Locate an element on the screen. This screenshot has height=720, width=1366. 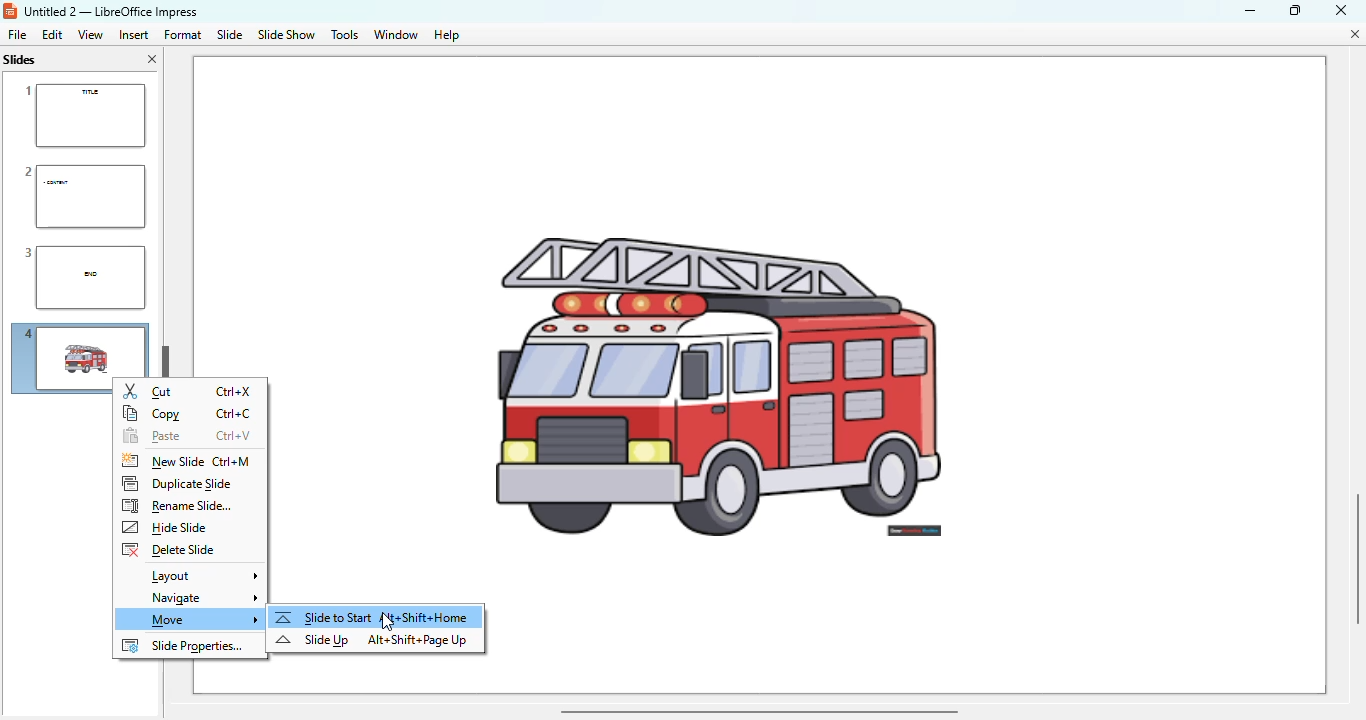
view is located at coordinates (90, 34).